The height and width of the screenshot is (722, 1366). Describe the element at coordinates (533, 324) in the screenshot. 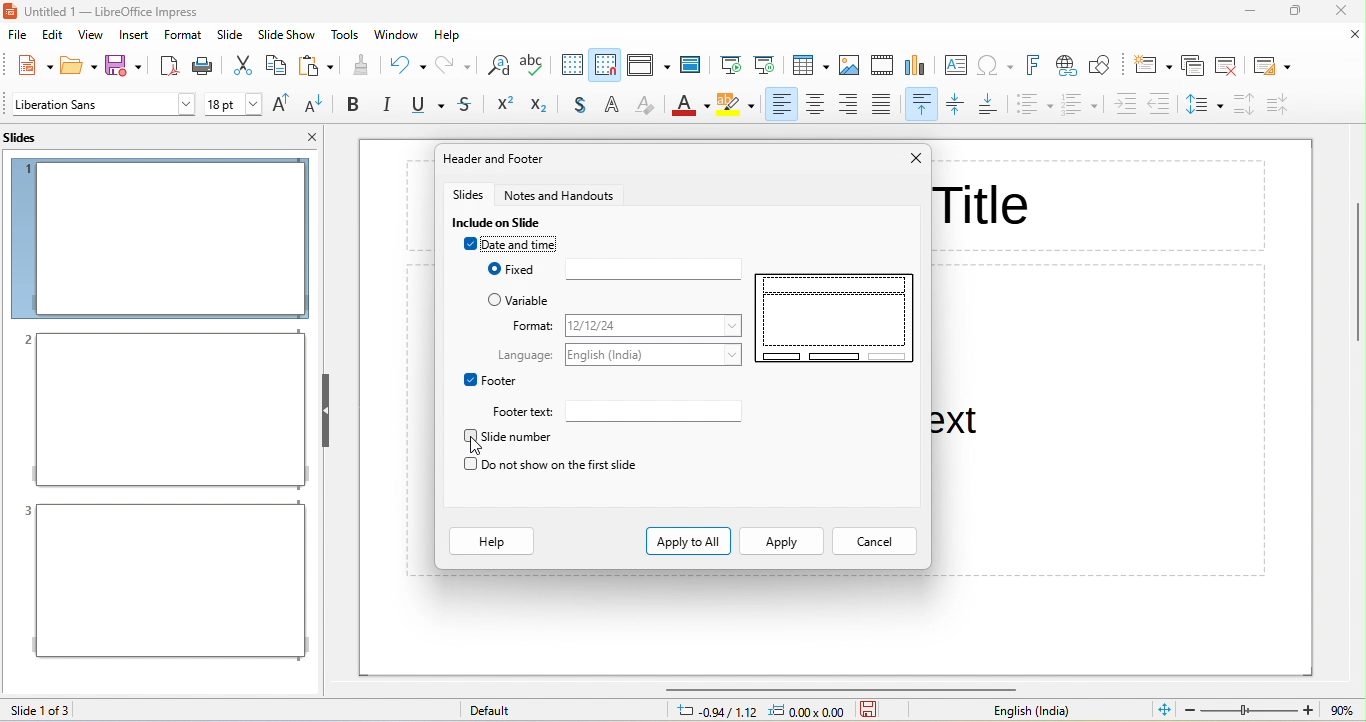

I see `text` at that location.